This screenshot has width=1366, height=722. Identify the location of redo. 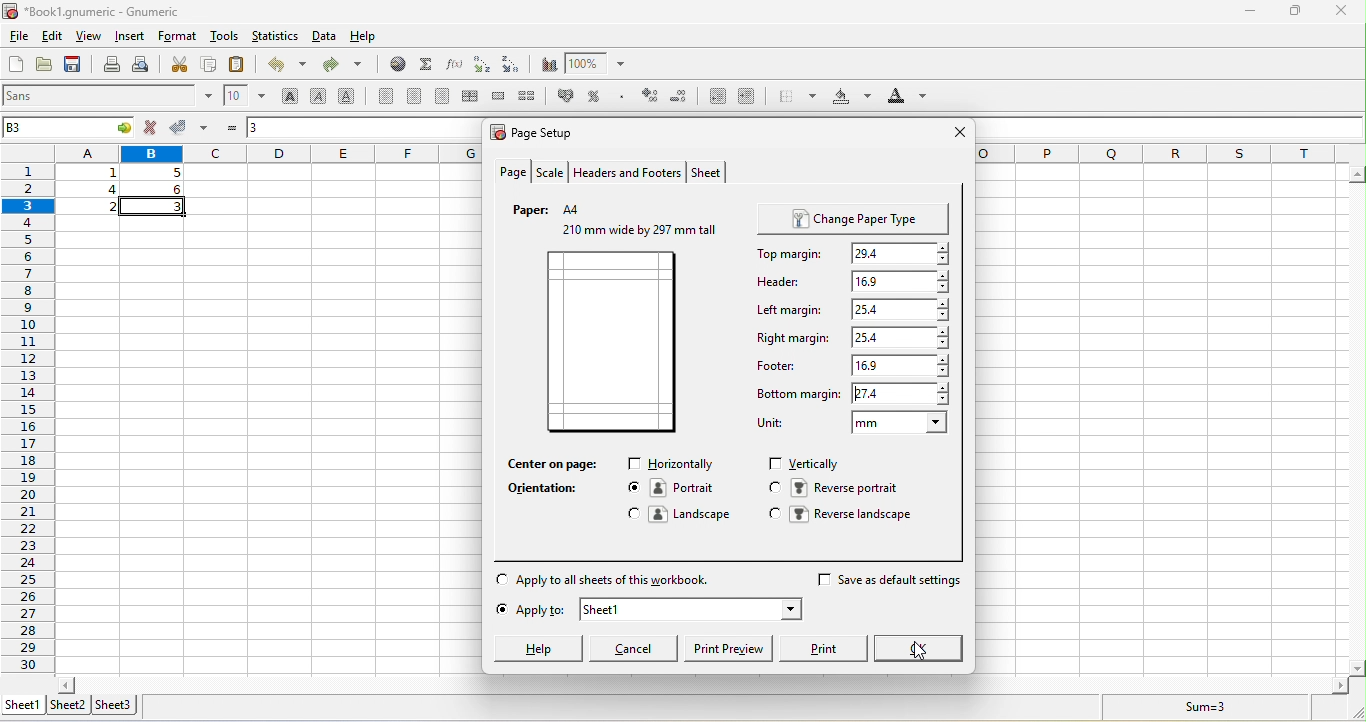
(345, 67).